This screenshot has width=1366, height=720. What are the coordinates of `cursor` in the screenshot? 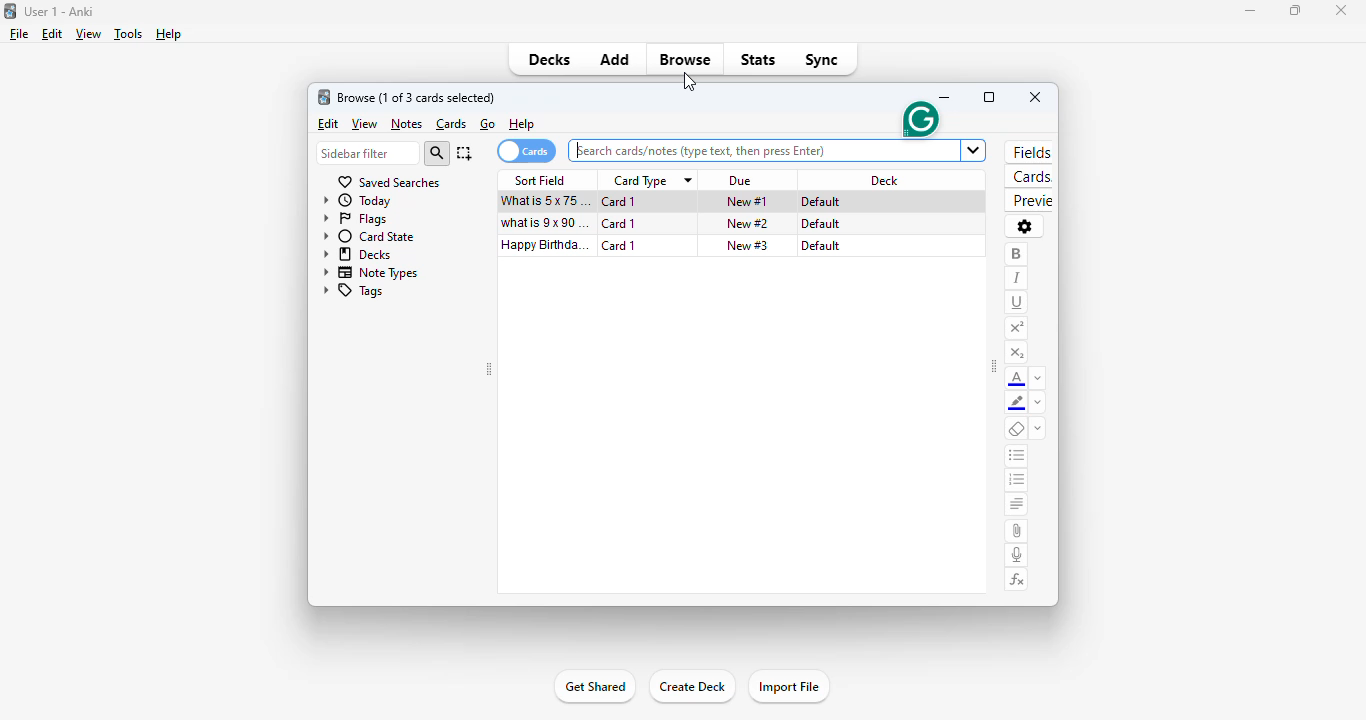 It's located at (688, 82).